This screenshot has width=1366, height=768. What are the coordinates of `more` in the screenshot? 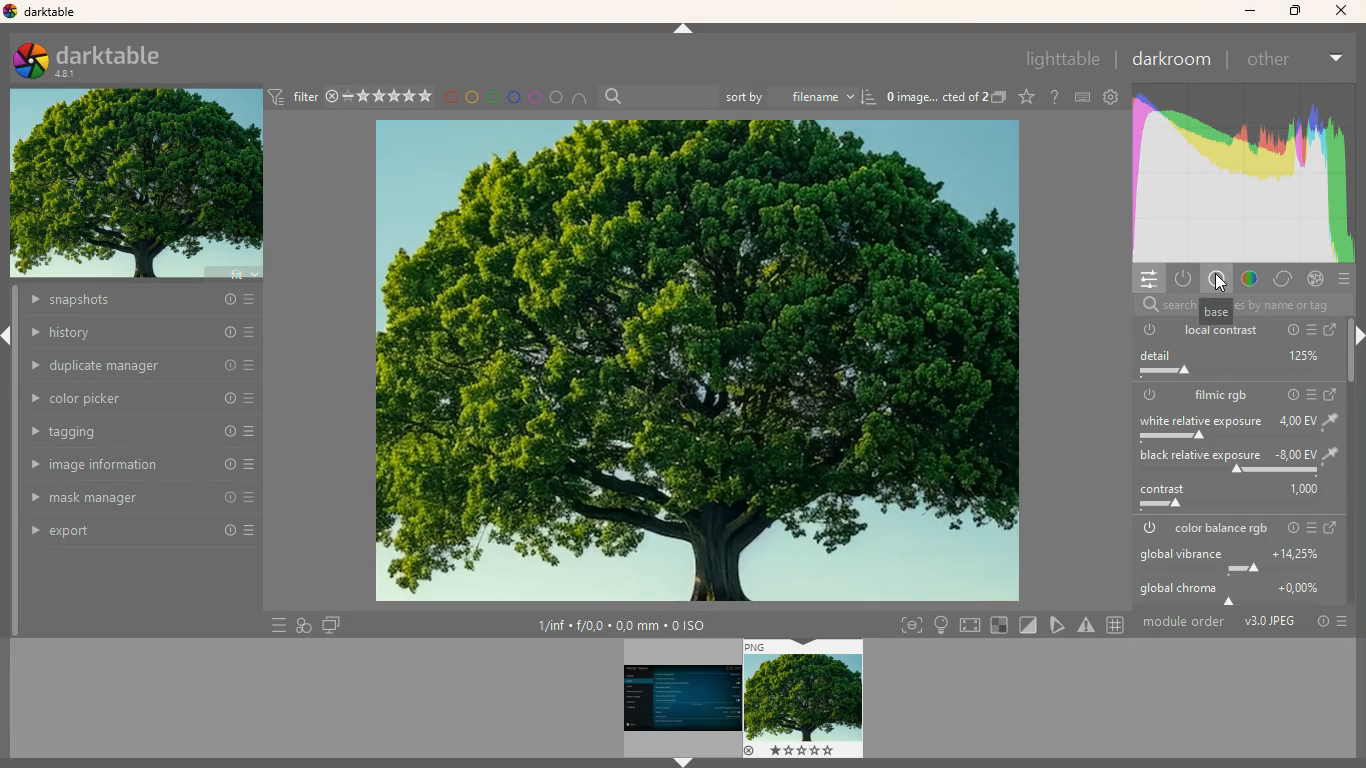 It's located at (1343, 621).